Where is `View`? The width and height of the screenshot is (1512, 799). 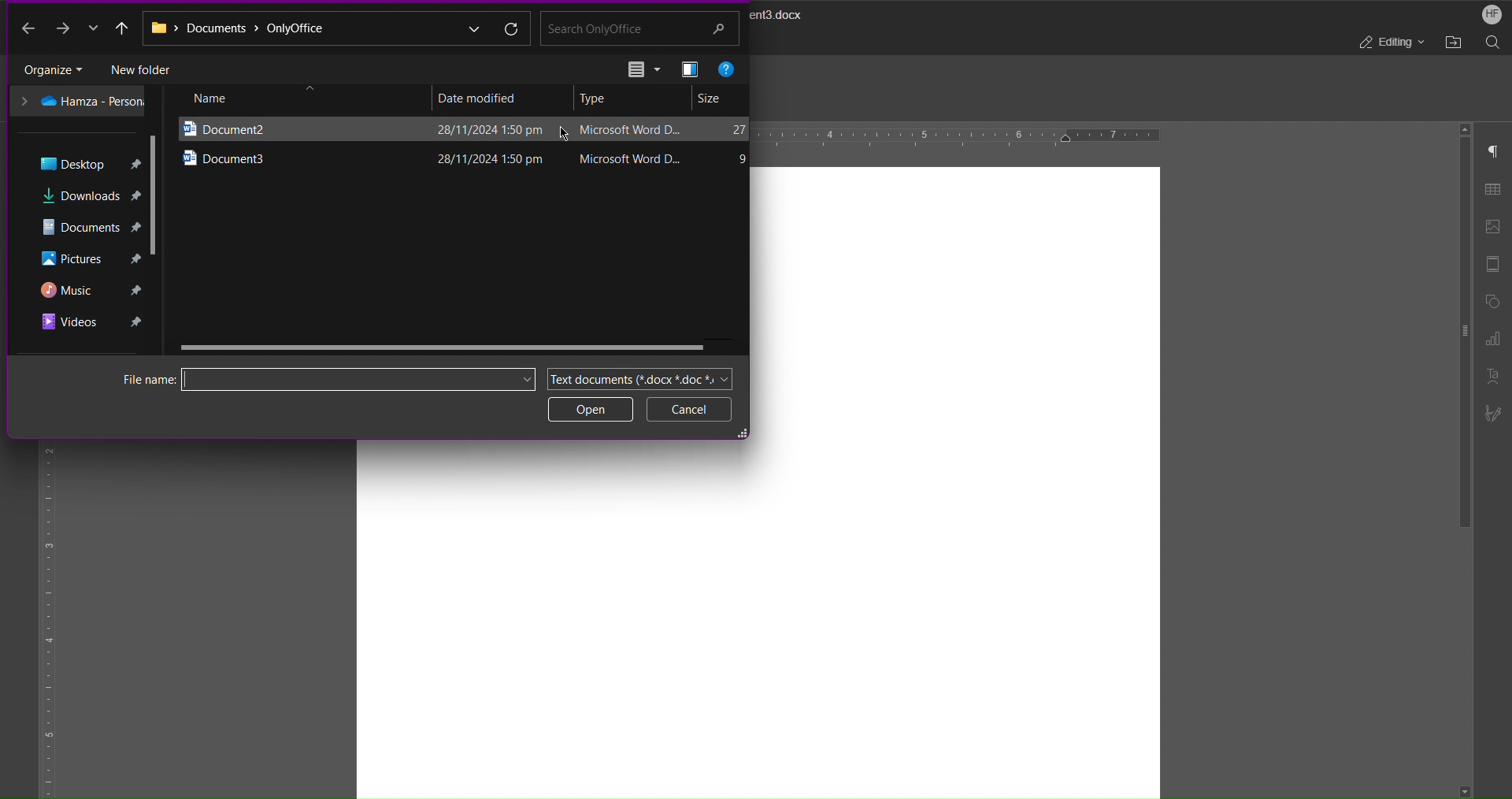 View is located at coordinates (689, 69).